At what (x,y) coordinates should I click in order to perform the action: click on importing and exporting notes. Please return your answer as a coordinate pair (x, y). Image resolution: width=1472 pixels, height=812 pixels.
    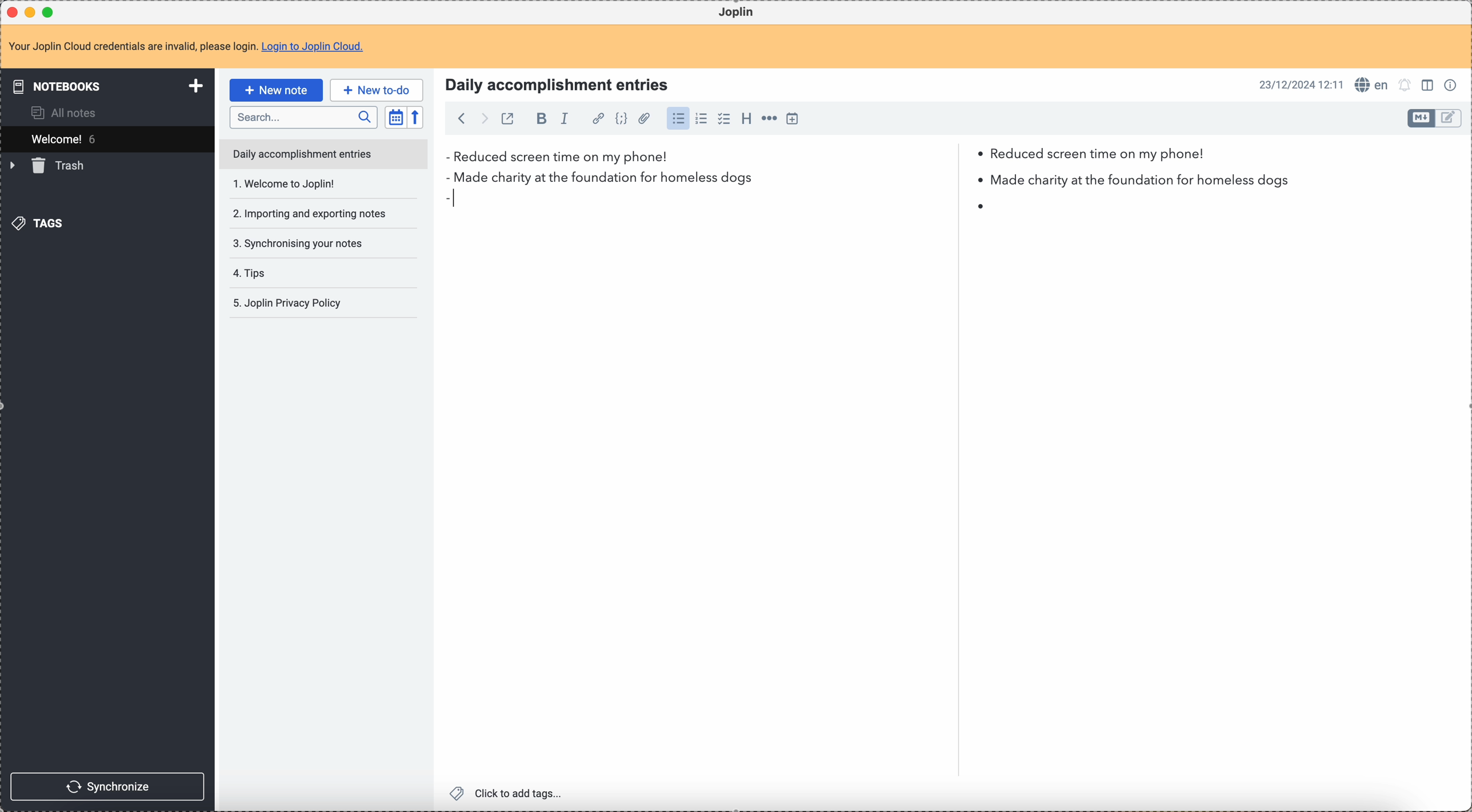
    Looking at the image, I should click on (309, 183).